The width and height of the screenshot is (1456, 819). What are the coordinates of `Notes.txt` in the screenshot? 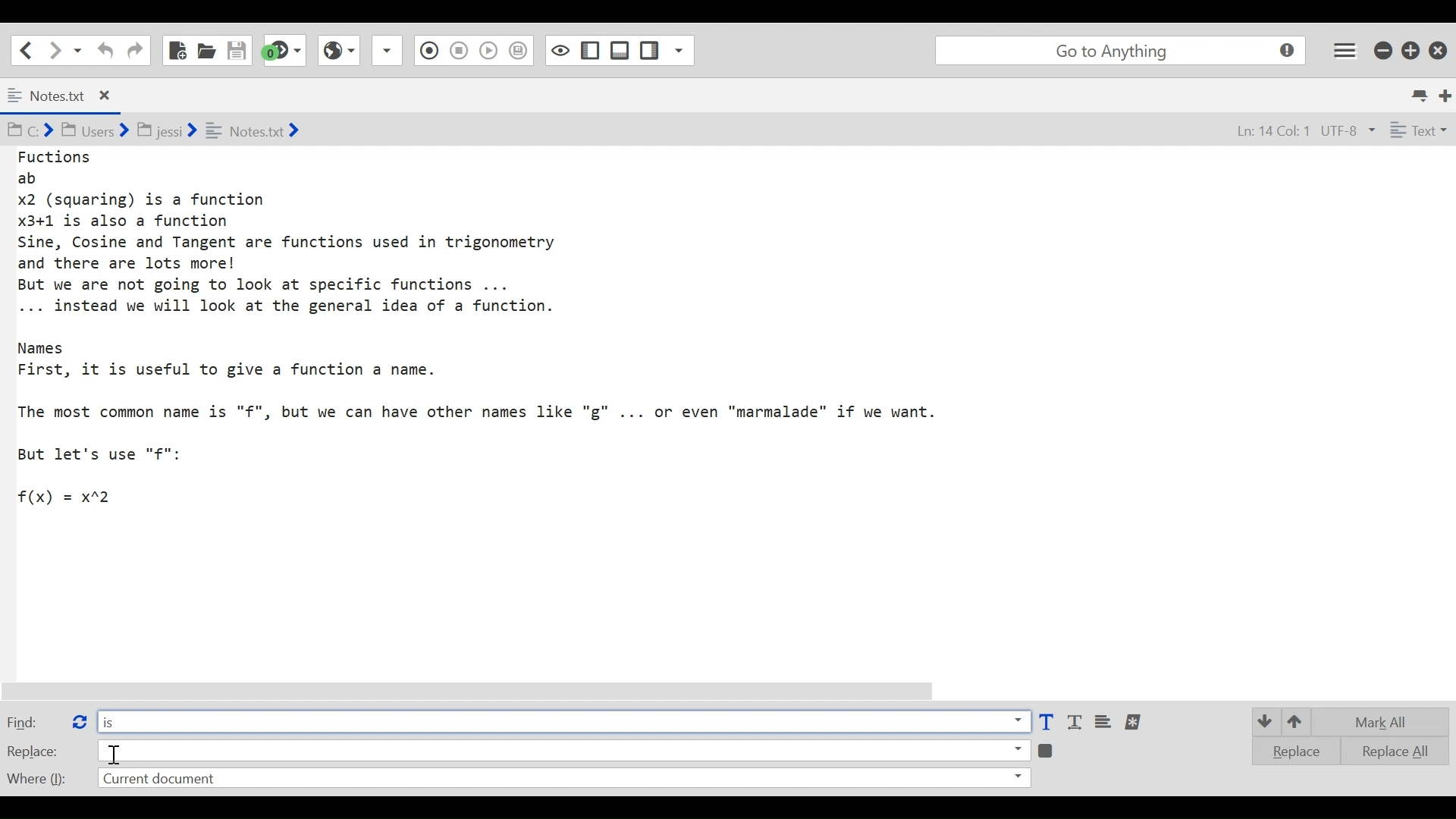 It's located at (71, 96).